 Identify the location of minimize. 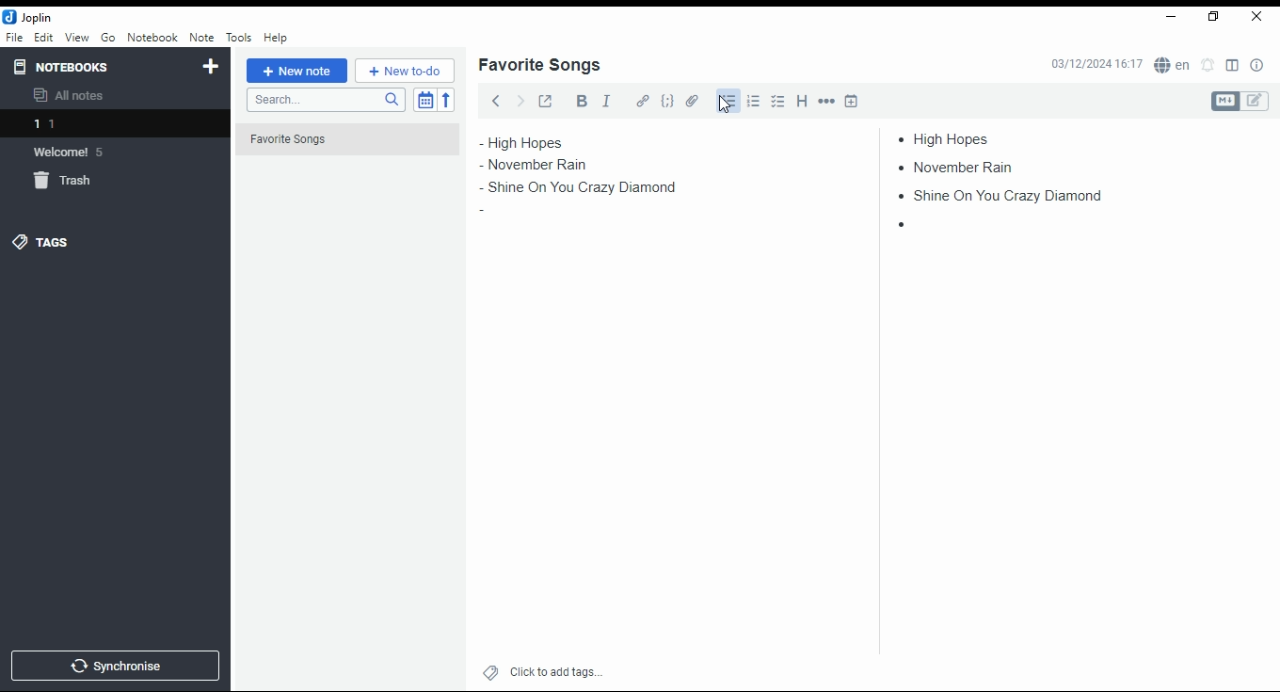
(1168, 18).